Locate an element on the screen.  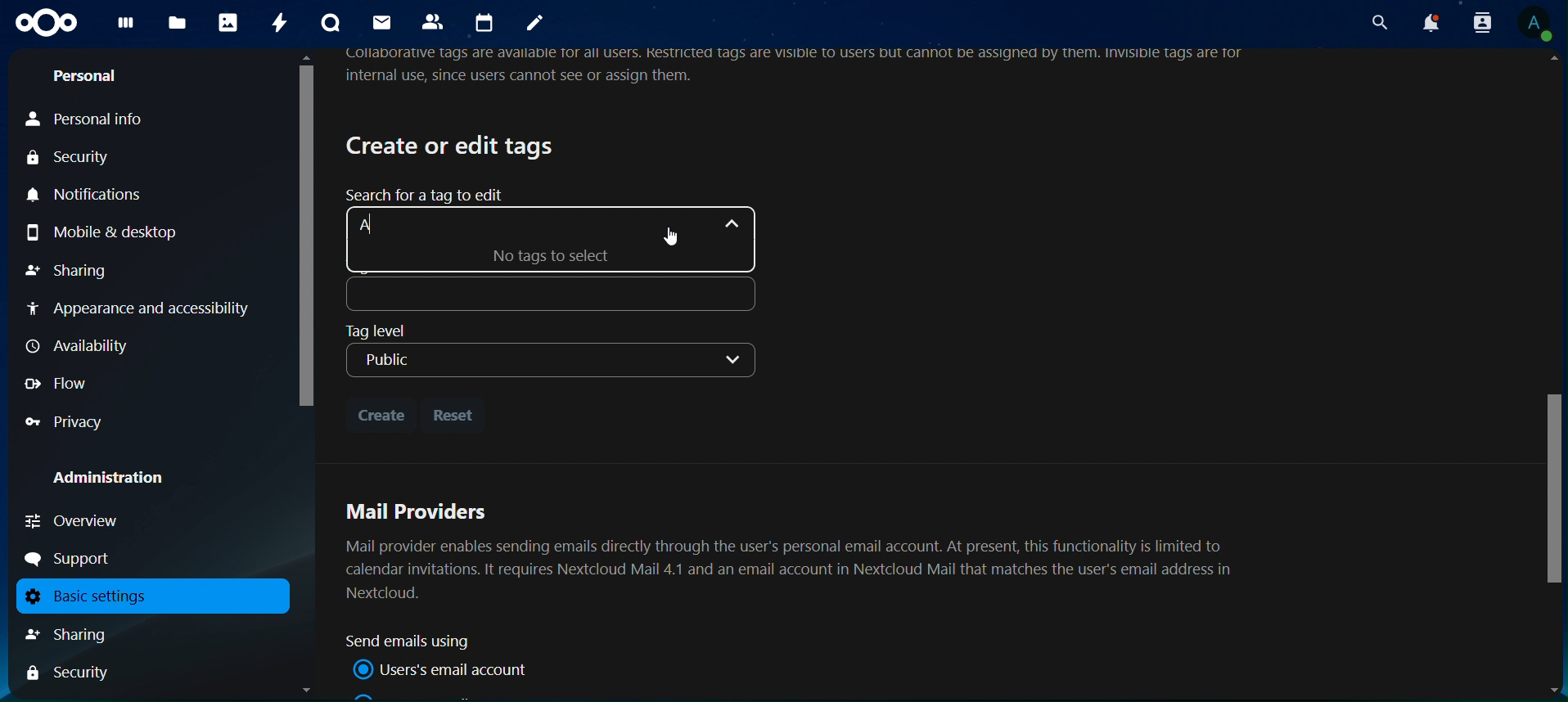
icon is located at coordinates (47, 23).